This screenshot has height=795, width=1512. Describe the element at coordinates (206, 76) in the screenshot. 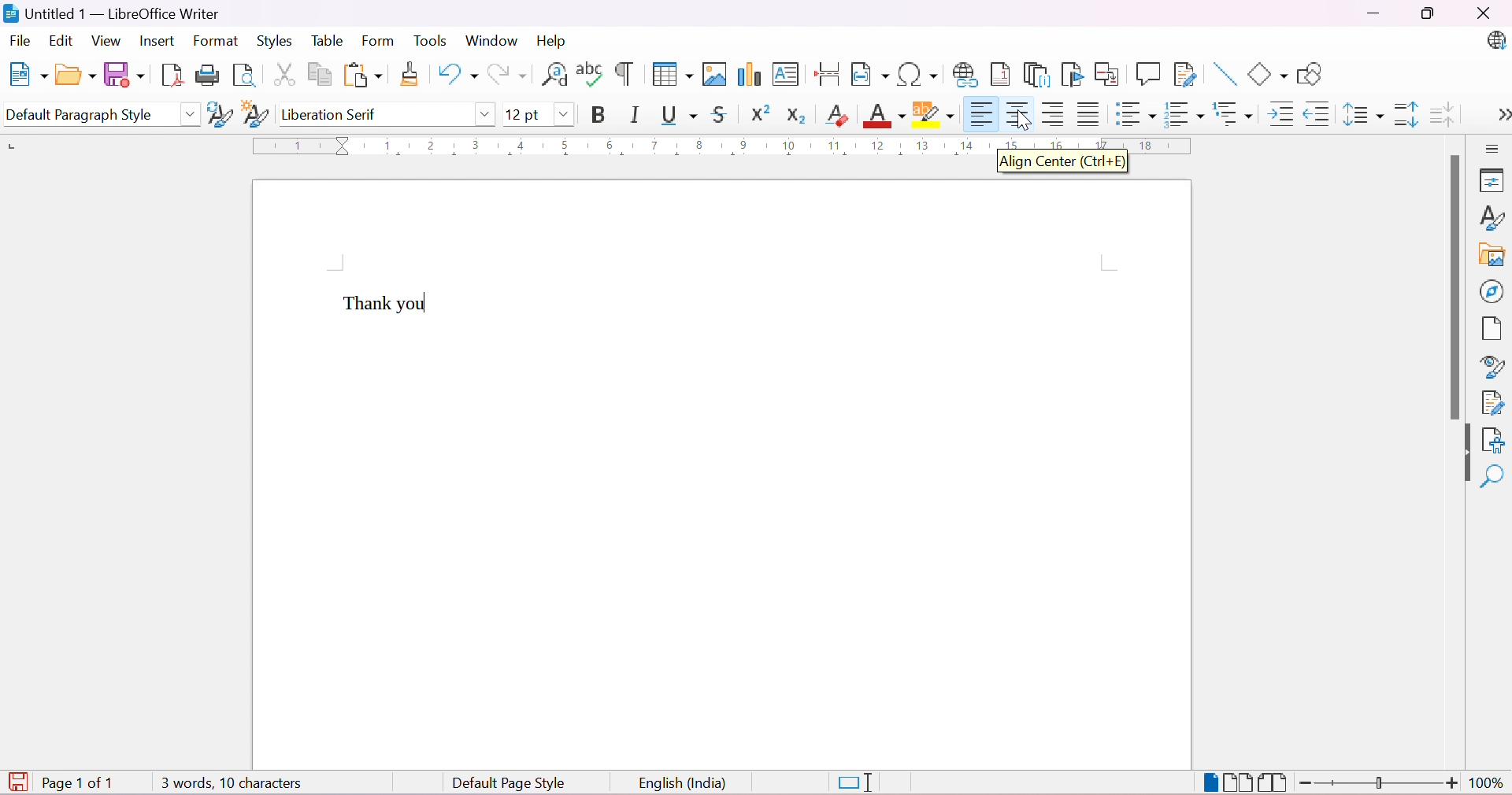

I see `Print` at that location.